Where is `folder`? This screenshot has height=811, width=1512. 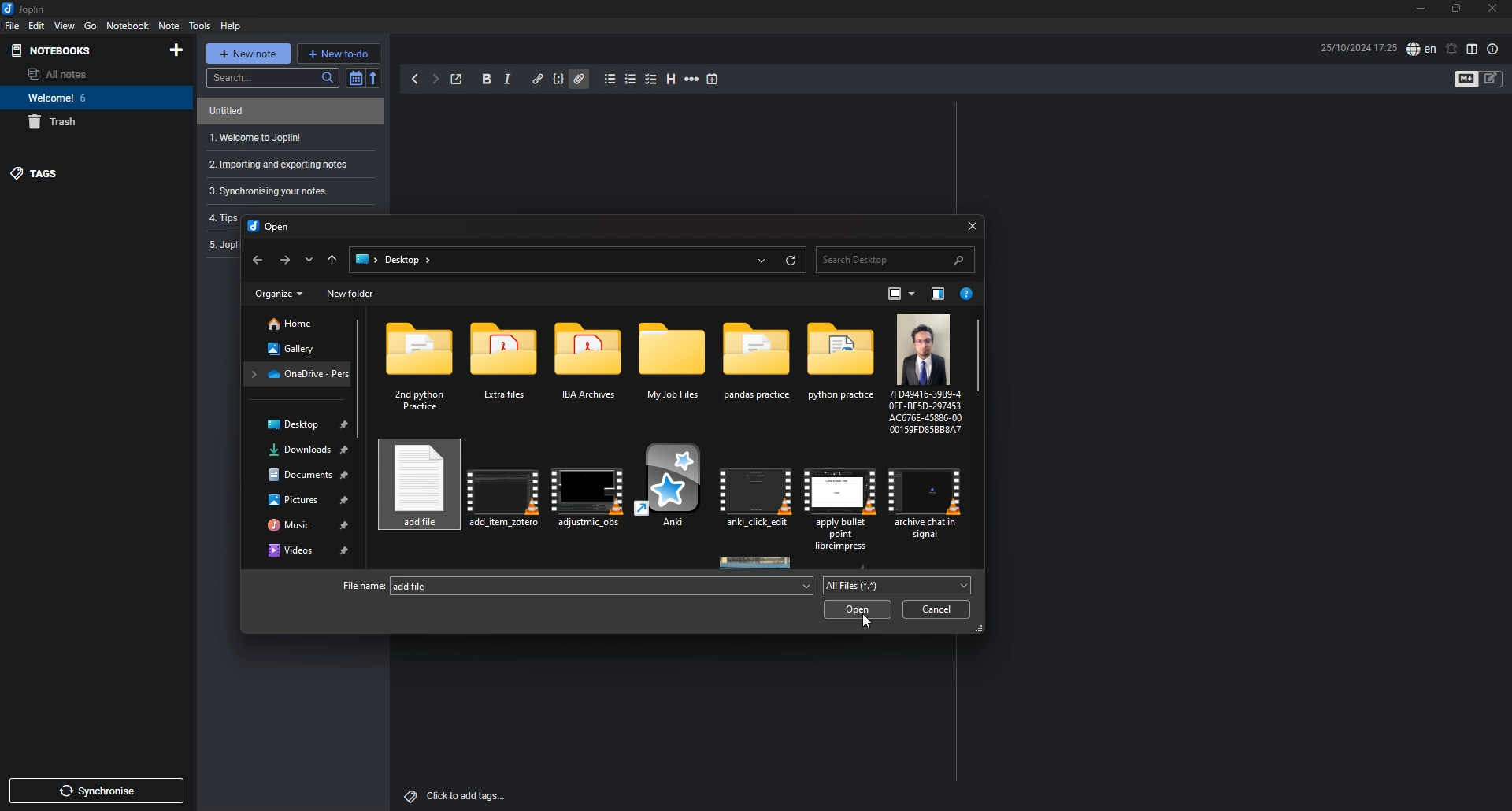
folder is located at coordinates (298, 372).